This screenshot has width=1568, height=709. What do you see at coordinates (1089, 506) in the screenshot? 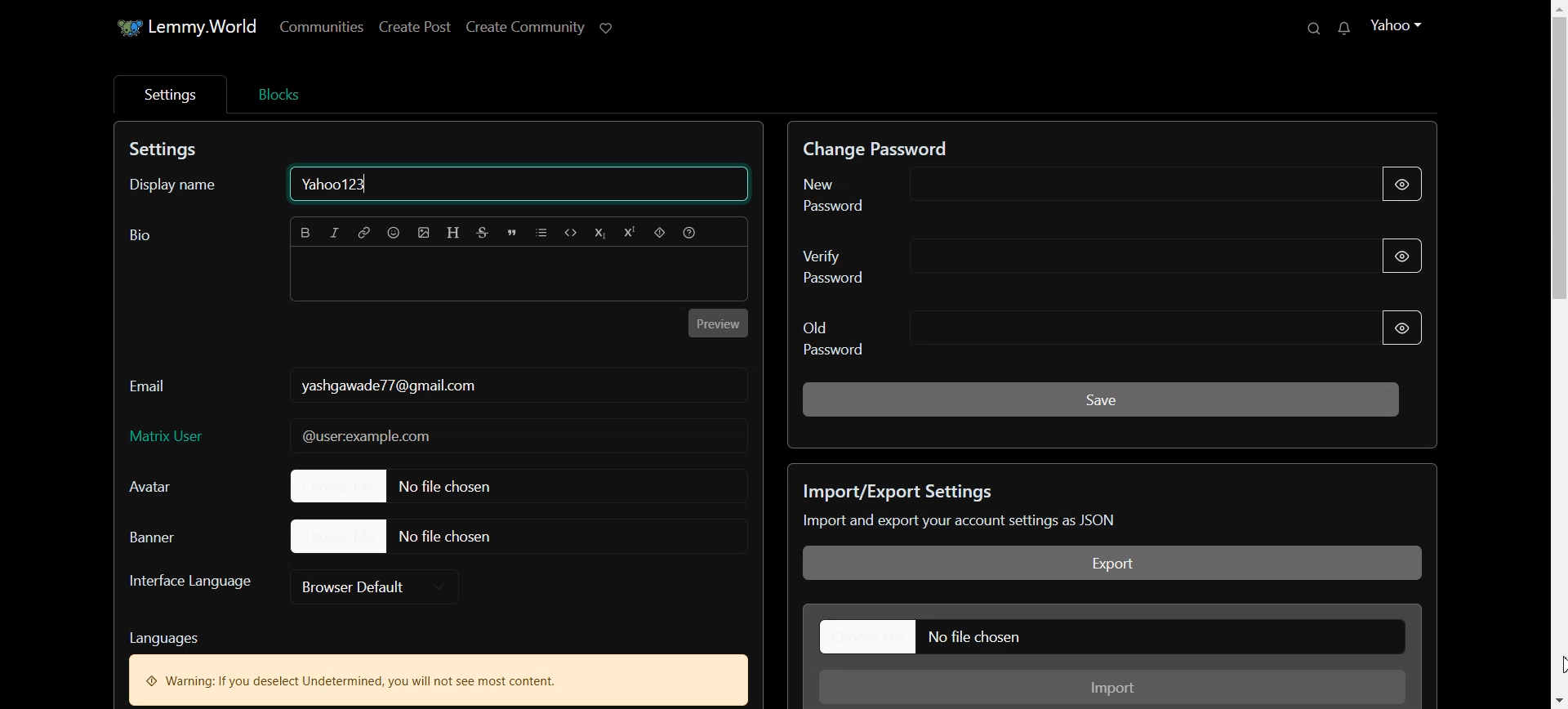
I see `Text` at bounding box center [1089, 506].